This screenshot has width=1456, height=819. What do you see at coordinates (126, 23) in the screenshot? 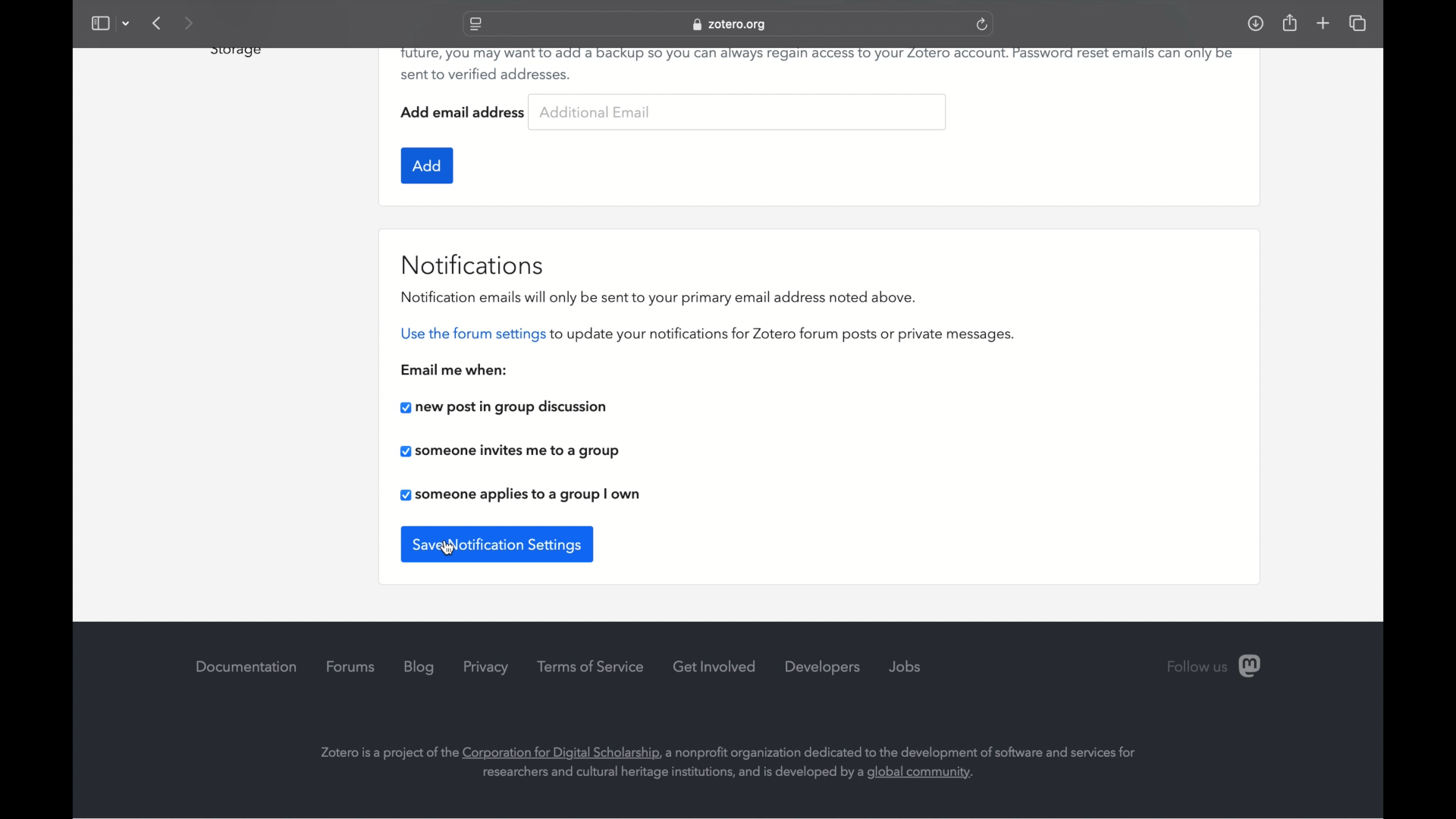
I see `dropdown` at bounding box center [126, 23].